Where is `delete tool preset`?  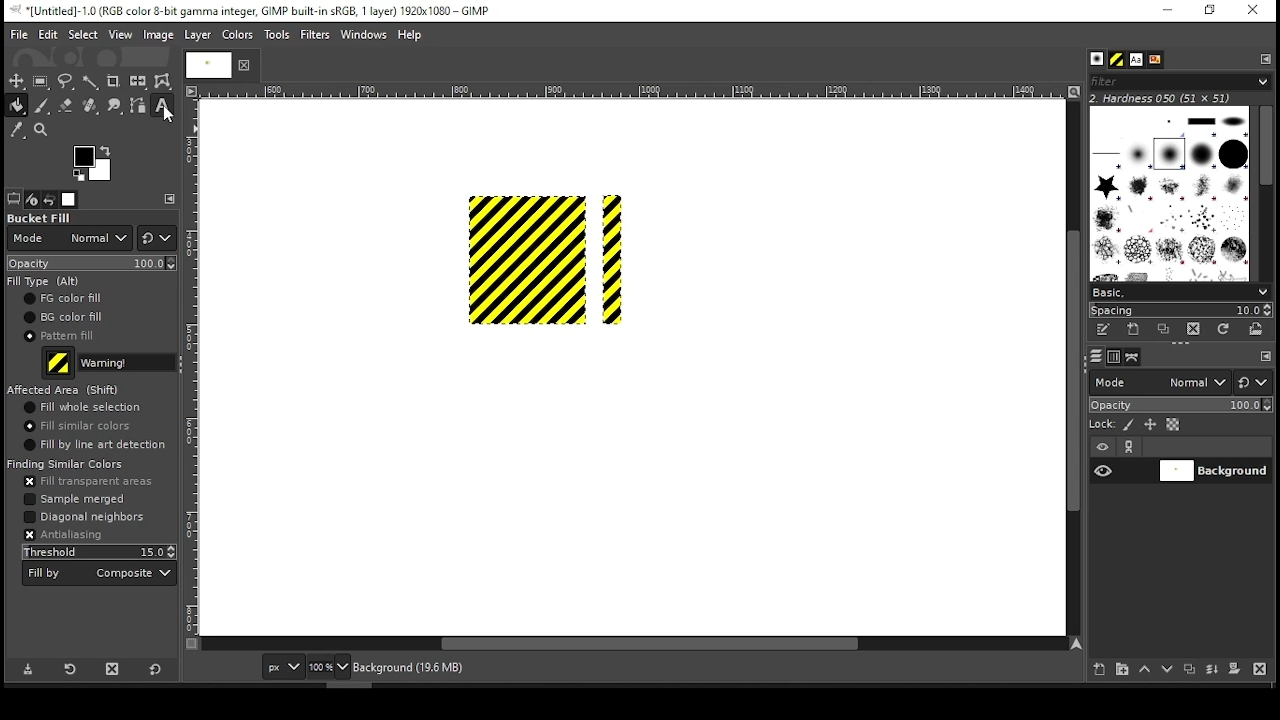 delete tool preset is located at coordinates (118, 668).